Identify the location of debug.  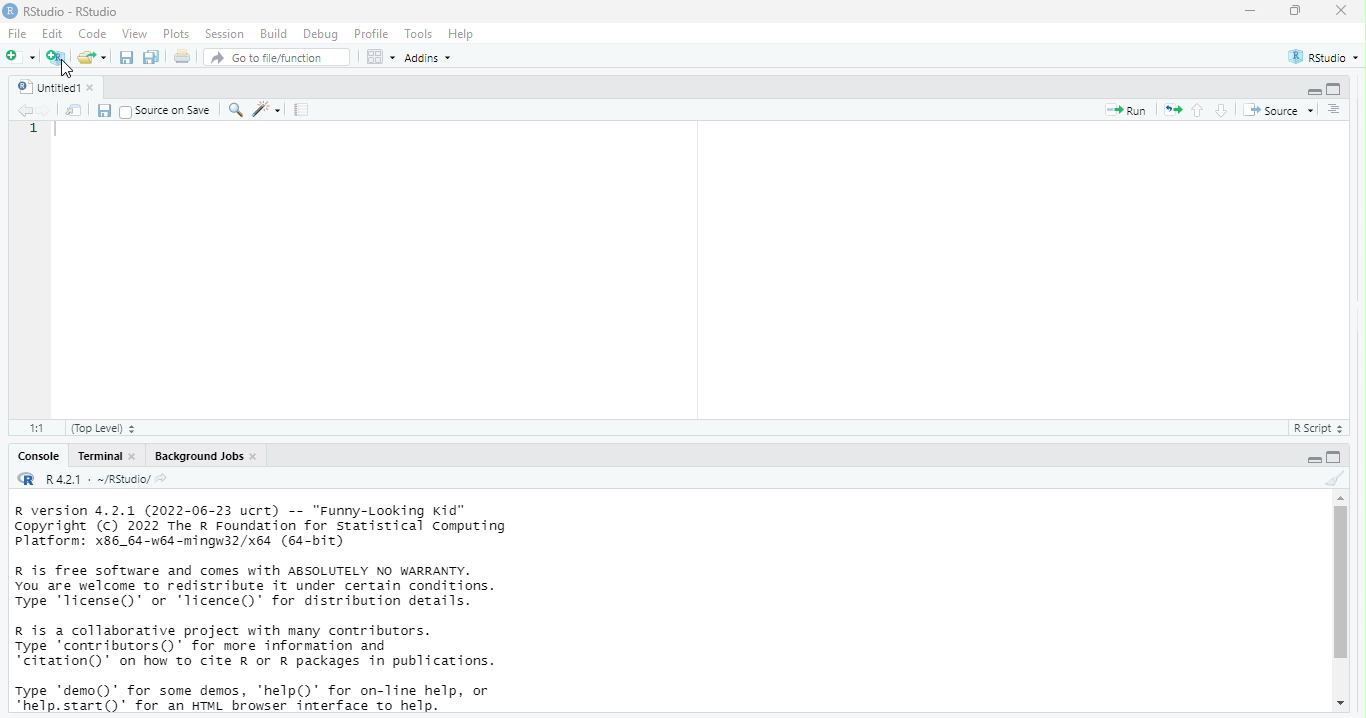
(320, 34).